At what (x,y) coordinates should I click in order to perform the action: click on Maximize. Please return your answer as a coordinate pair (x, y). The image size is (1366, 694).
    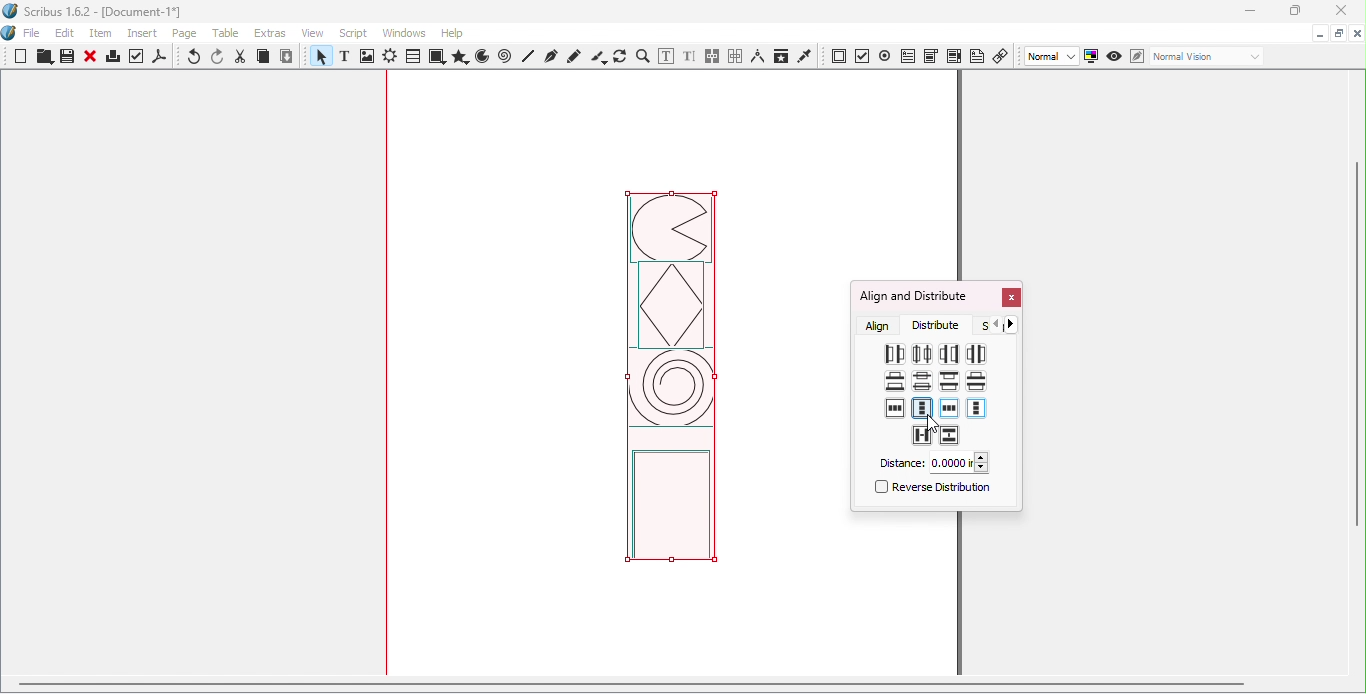
    Looking at the image, I should click on (1338, 32).